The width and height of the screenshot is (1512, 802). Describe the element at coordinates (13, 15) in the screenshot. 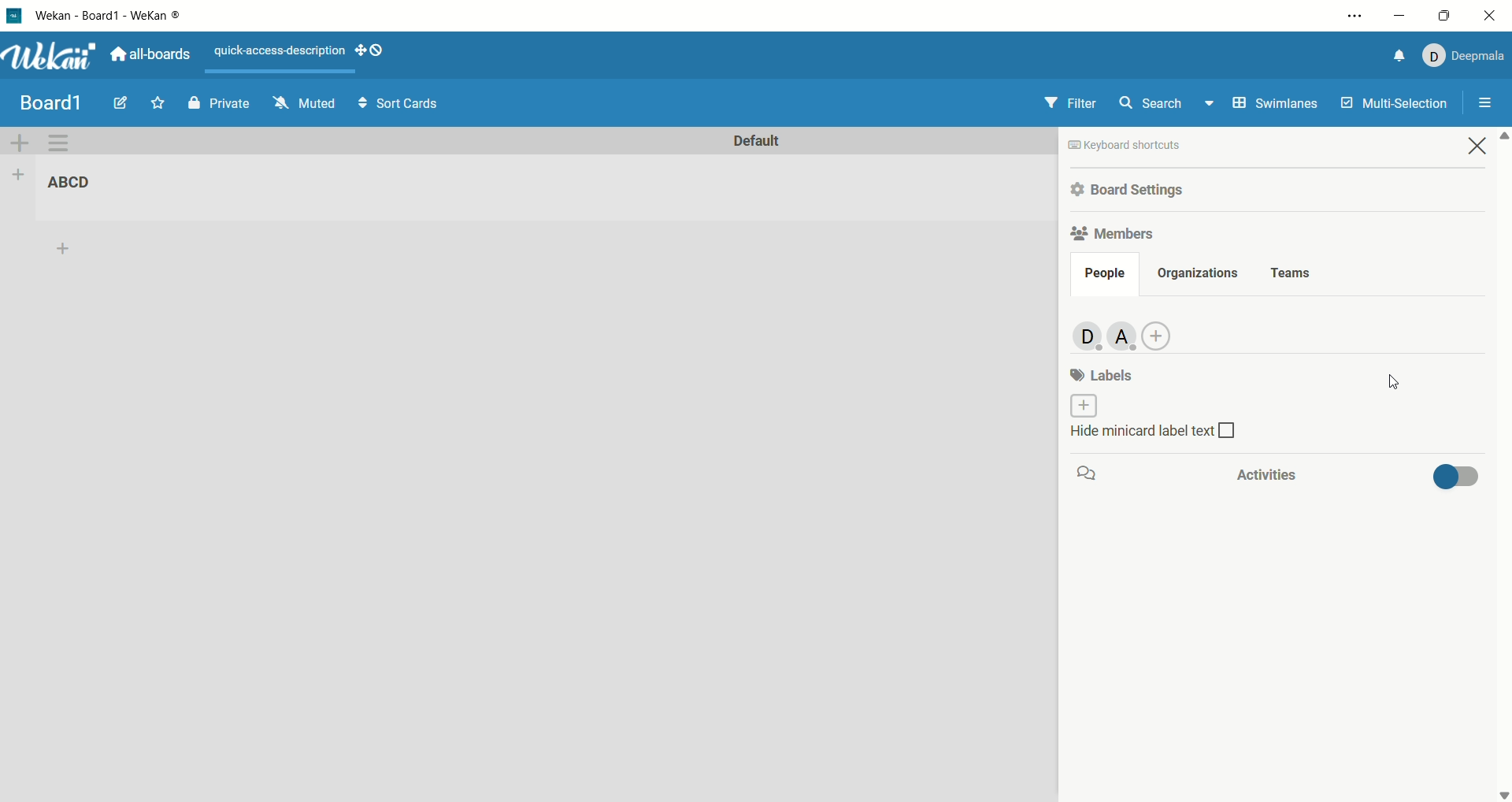

I see `logo` at that location.